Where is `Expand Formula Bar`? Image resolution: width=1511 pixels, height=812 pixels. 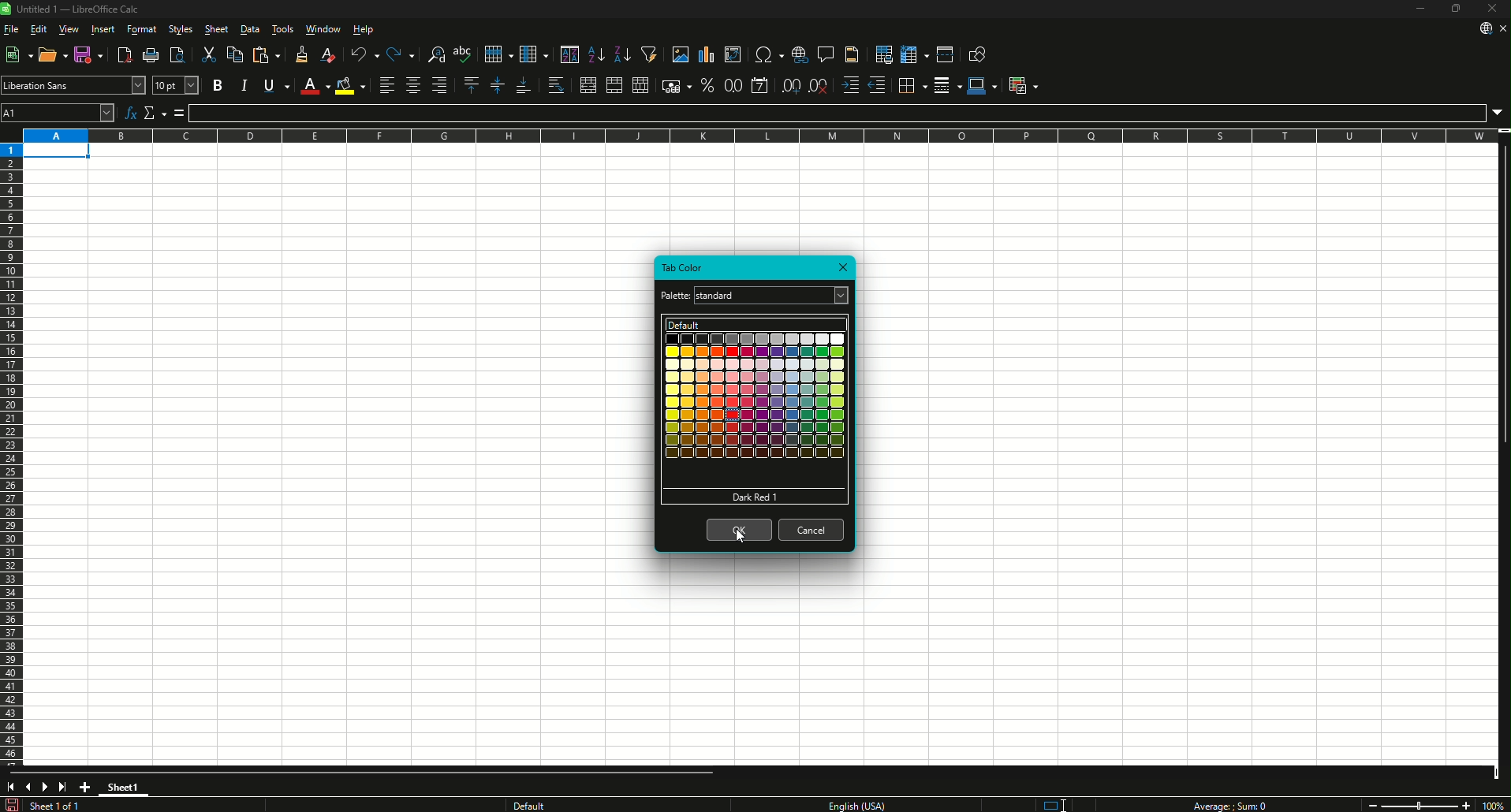 Expand Formula Bar is located at coordinates (1498, 114).